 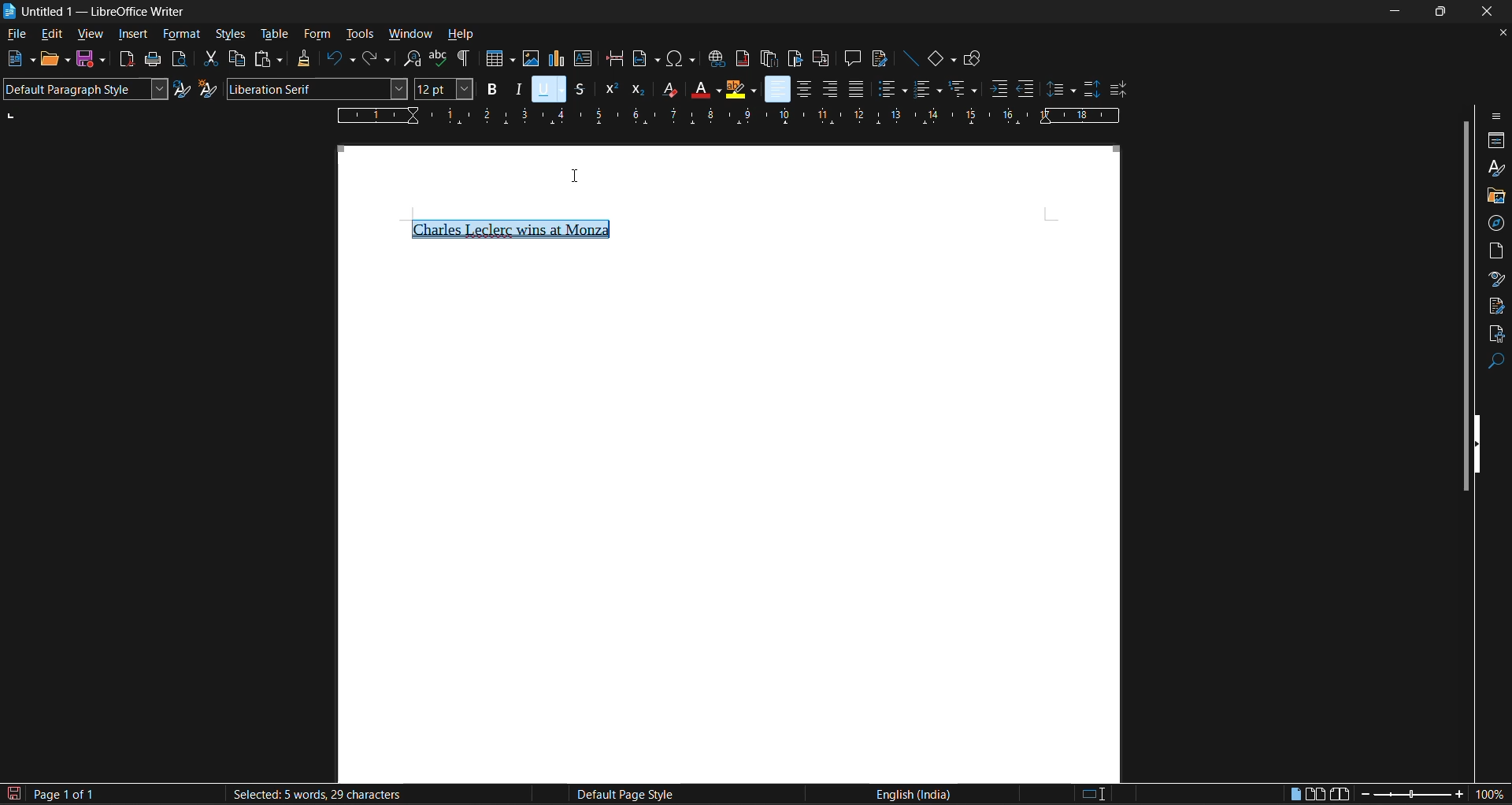 What do you see at coordinates (1296, 796) in the screenshot?
I see `single page view` at bounding box center [1296, 796].